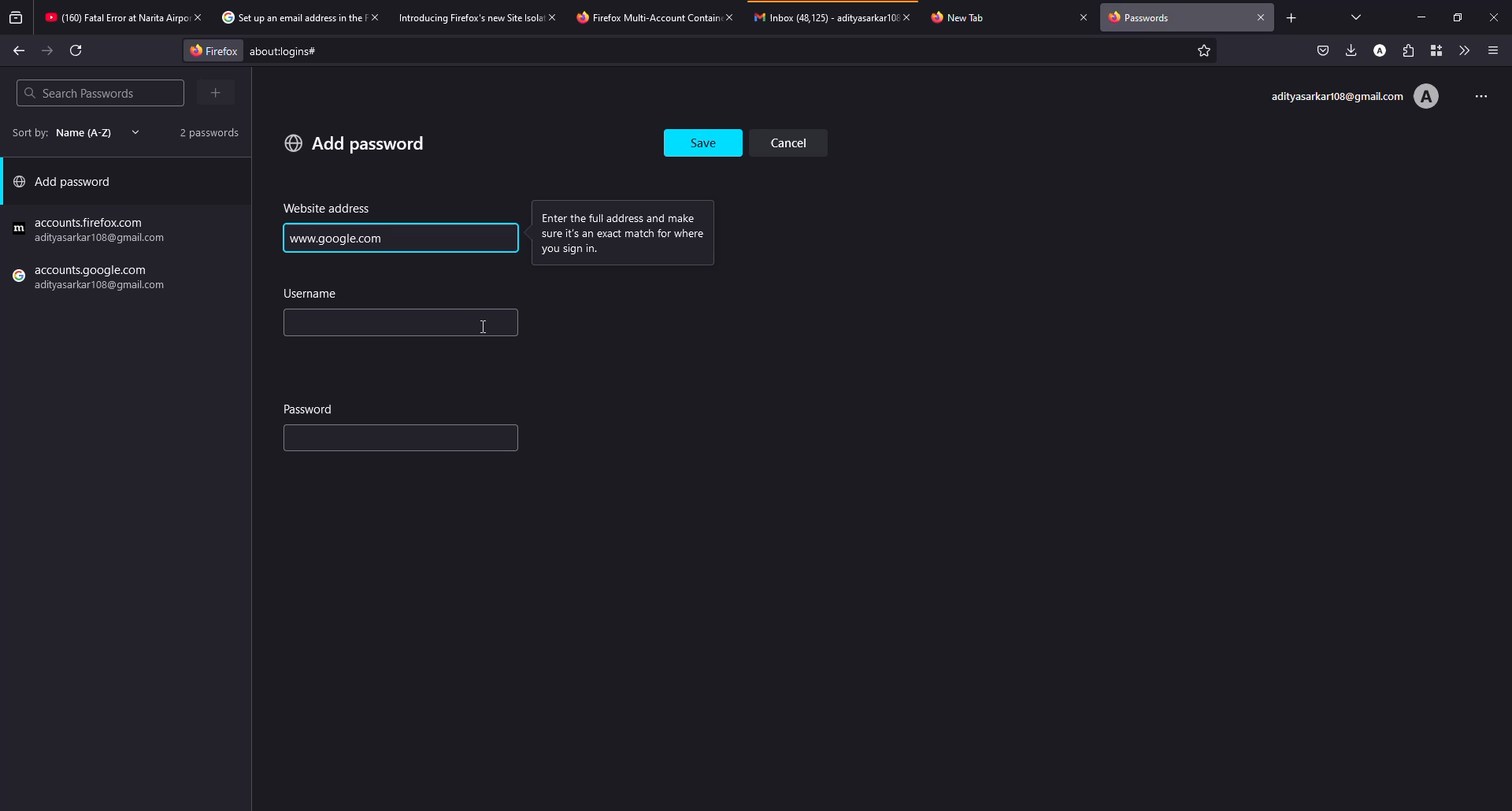 The width and height of the screenshot is (1512, 811). What do you see at coordinates (1432, 50) in the screenshot?
I see `container` at bounding box center [1432, 50].